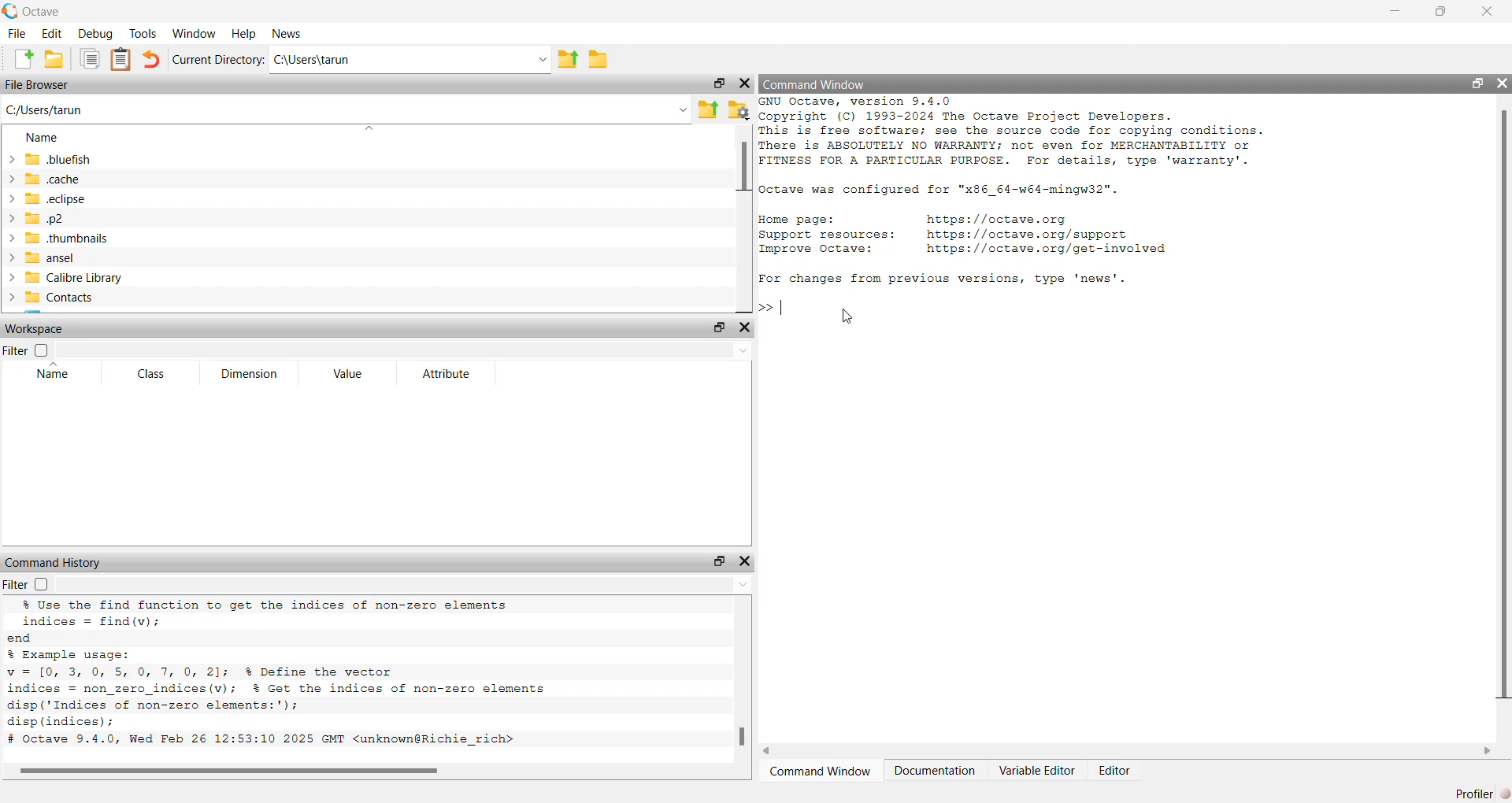 This screenshot has height=803, width=1512. I want to click on close, so click(746, 557).